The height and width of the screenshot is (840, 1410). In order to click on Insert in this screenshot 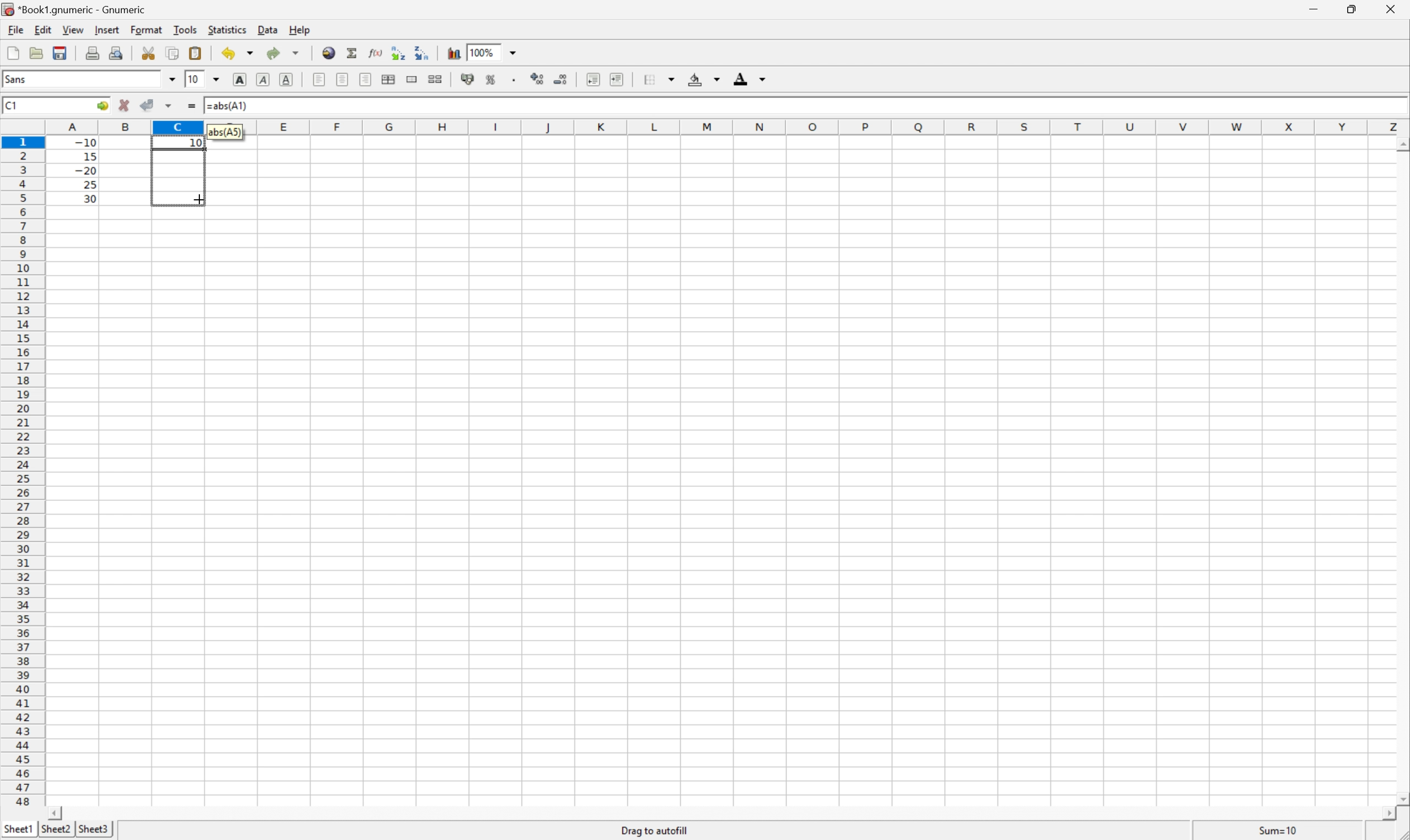, I will do `click(108, 30)`.